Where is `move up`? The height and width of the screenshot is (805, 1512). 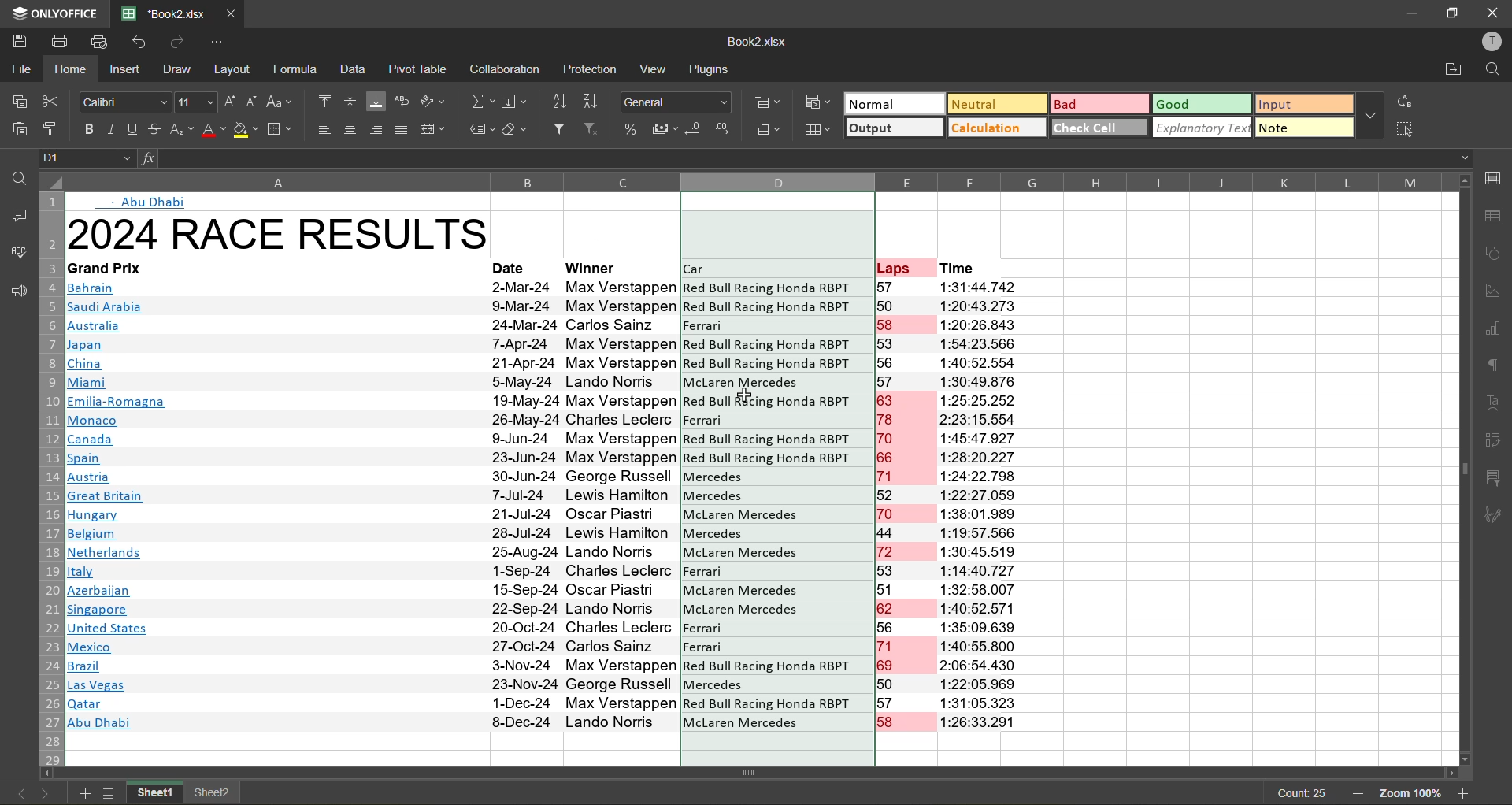
move up is located at coordinates (1466, 180).